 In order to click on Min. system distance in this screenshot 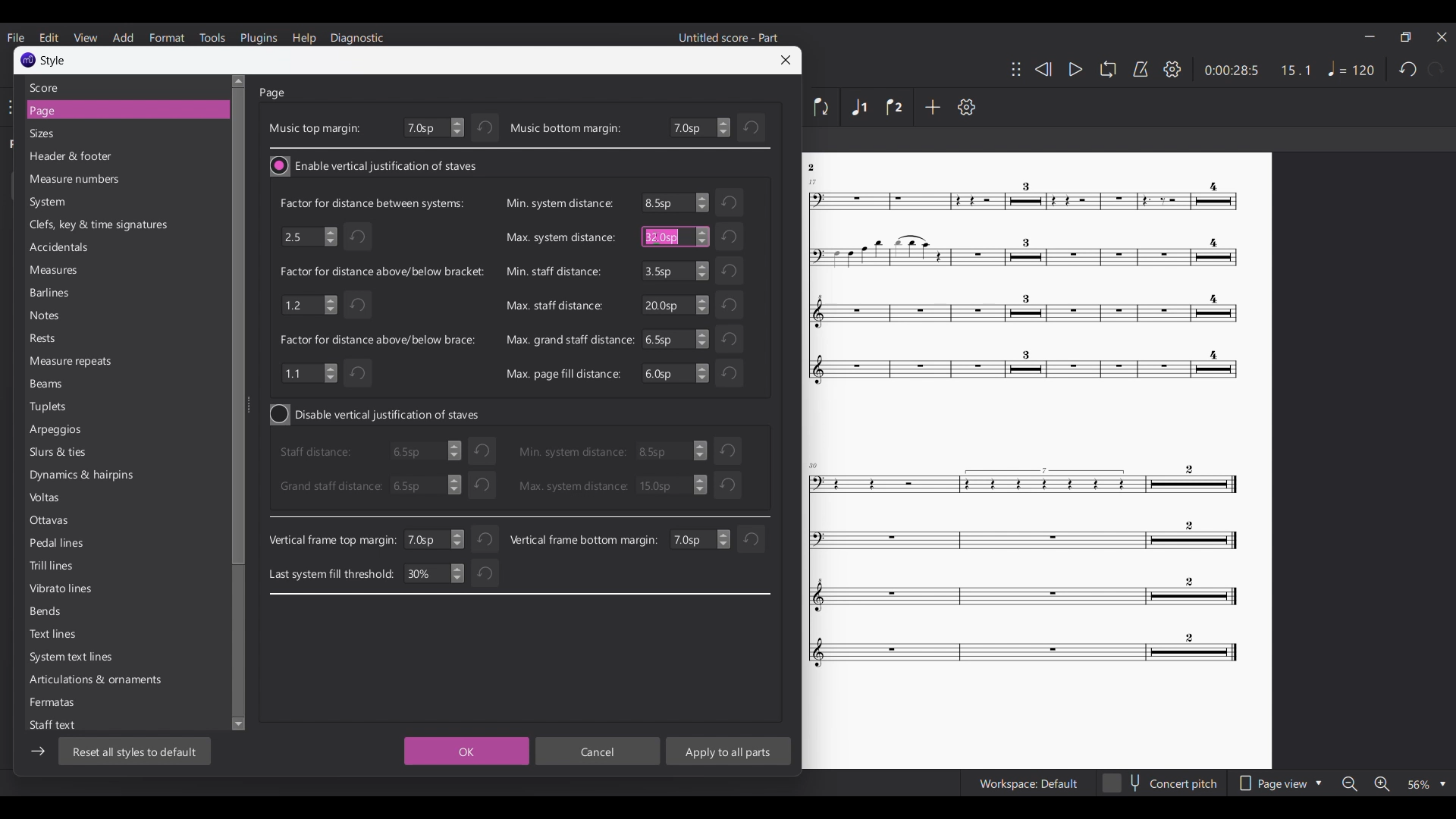, I will do `click(572, 451)`.